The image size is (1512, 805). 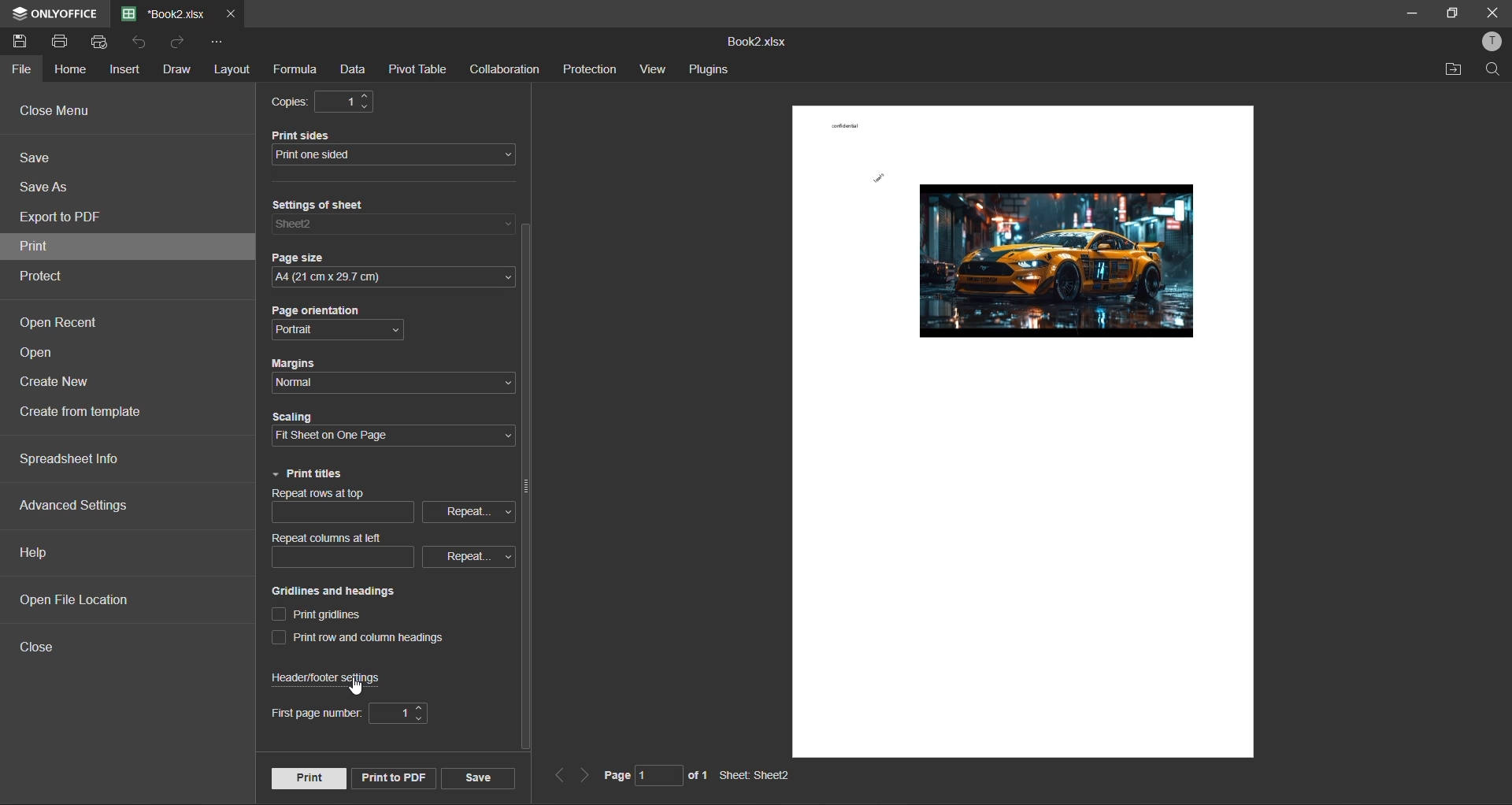 I want to click on save as , so click(x=51, y=185).